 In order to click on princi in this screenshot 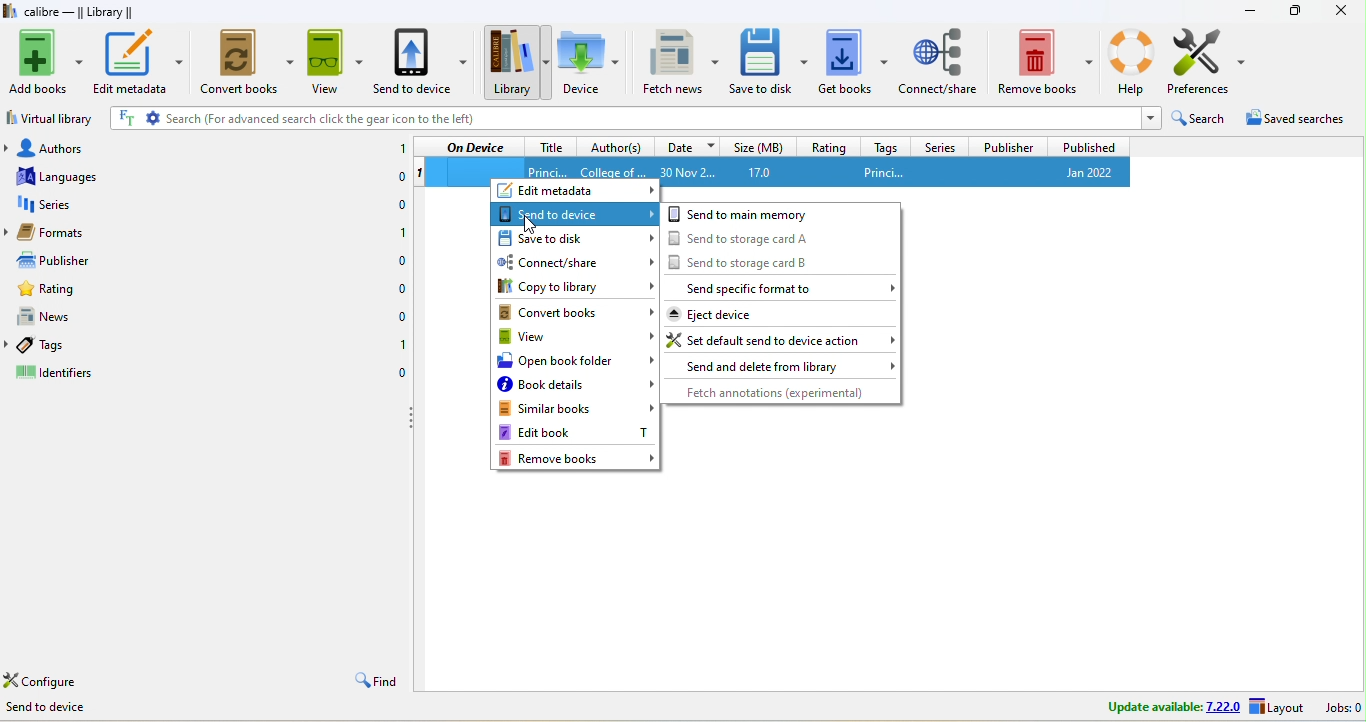, I will do `click(923, 171)`.